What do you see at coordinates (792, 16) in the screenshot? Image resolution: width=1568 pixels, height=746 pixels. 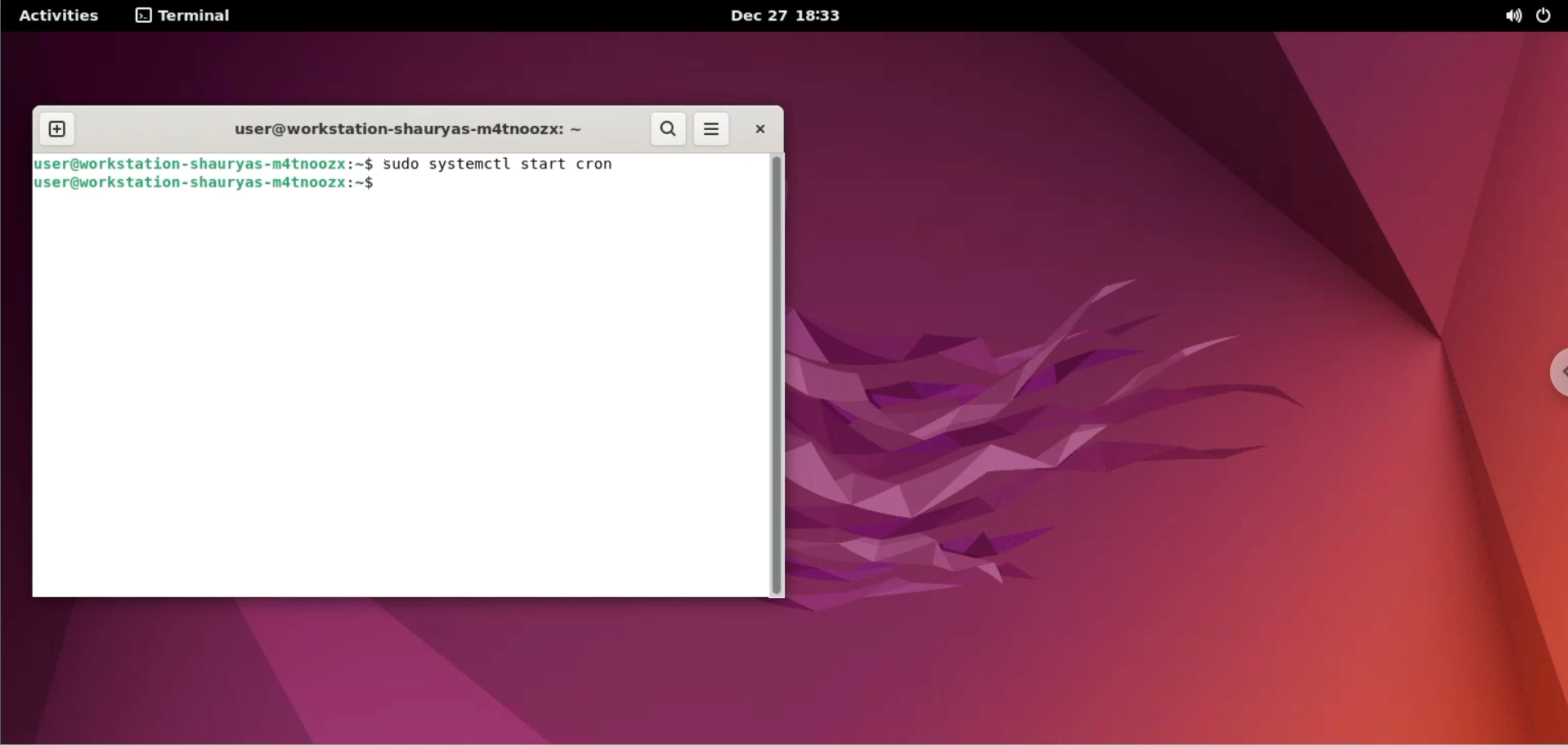 I see `Dec 27 18:33` at bounding box center [792, 16].